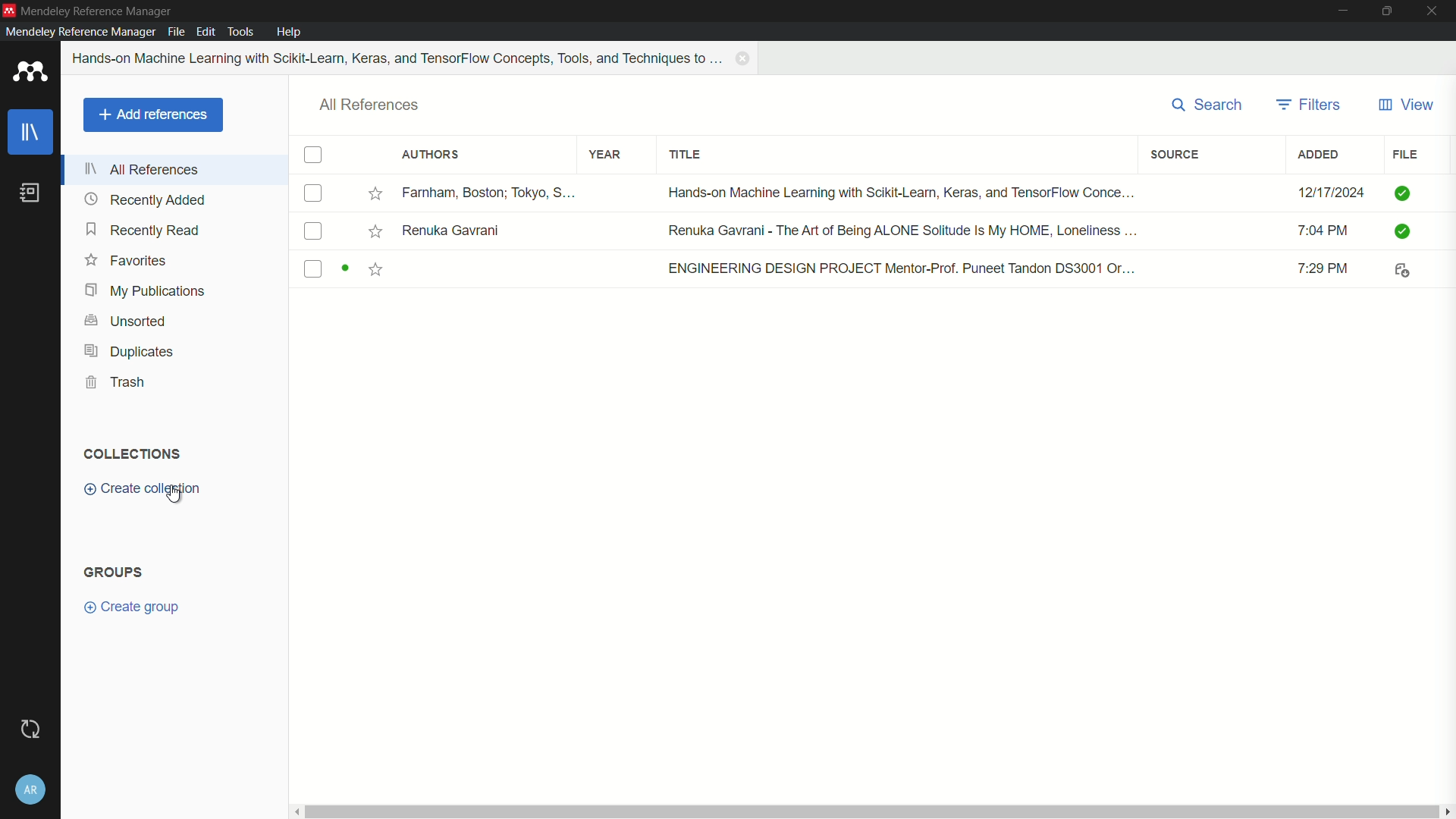  Describe the element at coordinates (30, 193) in the screenshot. I see `book` at that location.